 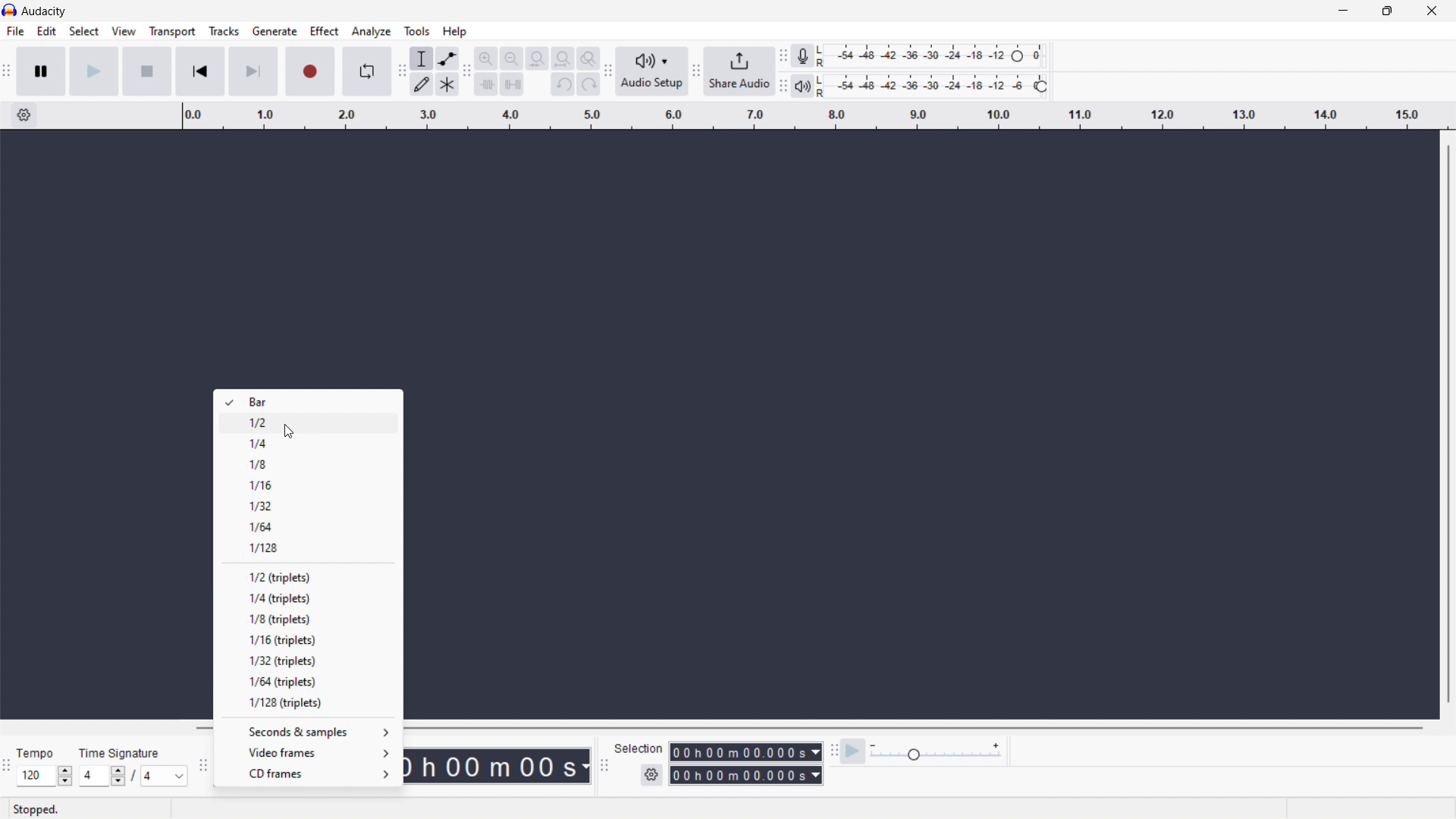 What do you see at coordinates (915, 727) in the screenshot?
I see `horizontal scrollbar` at bounding box center [915, 727].